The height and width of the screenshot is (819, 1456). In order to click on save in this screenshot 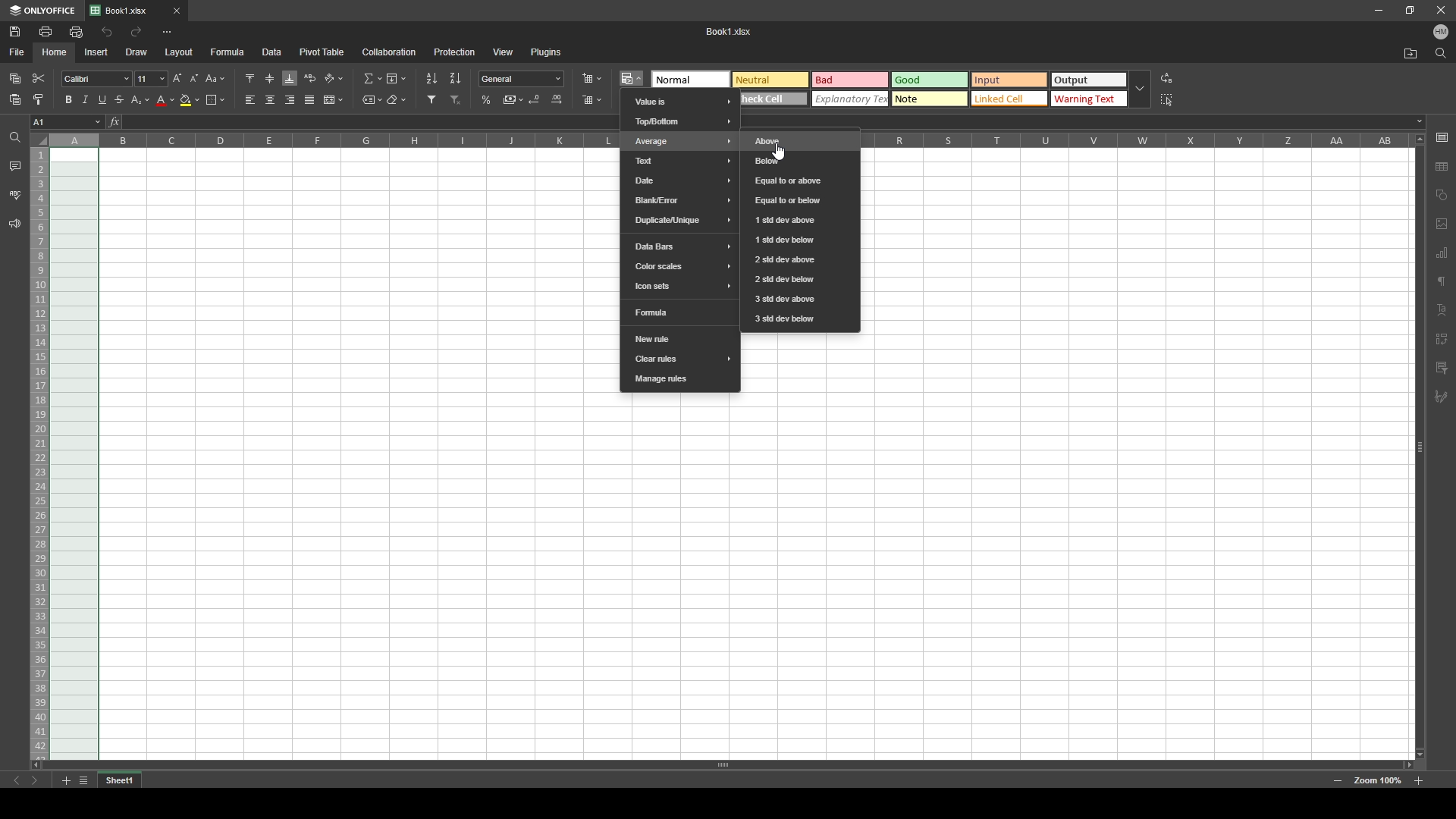, I will do `click(16, 31)`.